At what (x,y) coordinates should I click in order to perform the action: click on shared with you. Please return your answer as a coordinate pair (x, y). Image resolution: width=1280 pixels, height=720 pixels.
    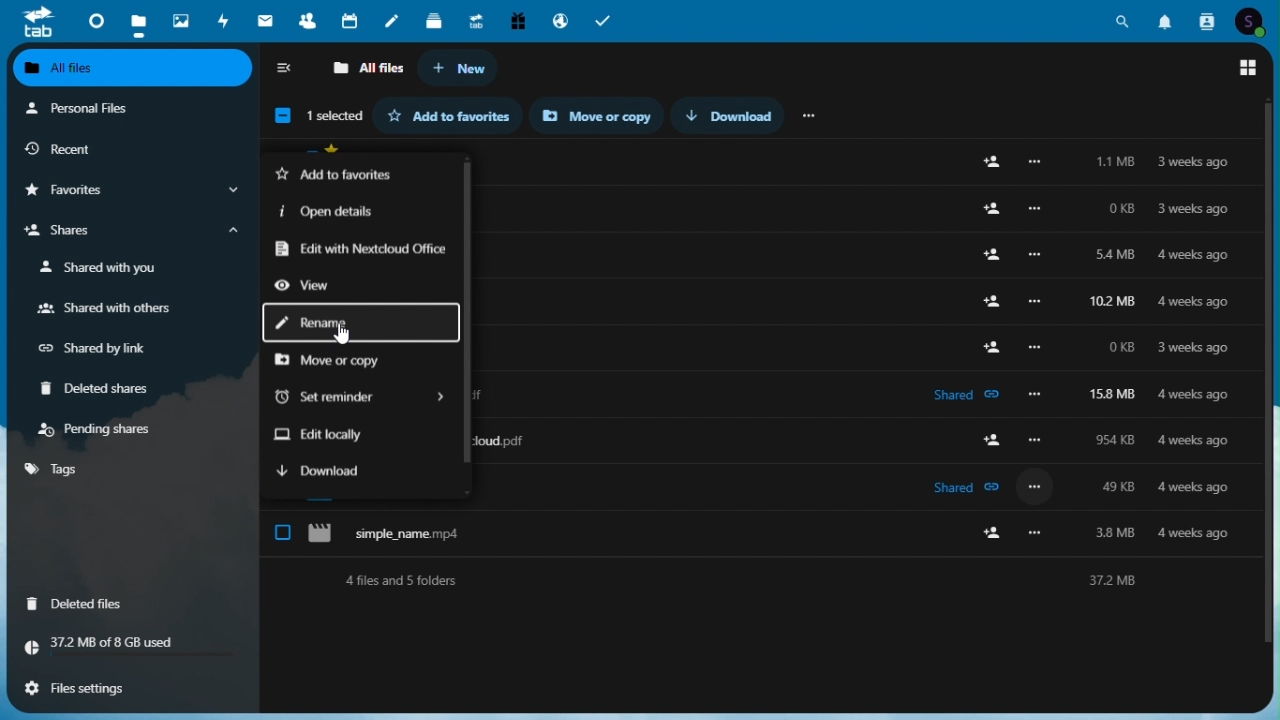
    Looking at the image, I should click on (103, 268).